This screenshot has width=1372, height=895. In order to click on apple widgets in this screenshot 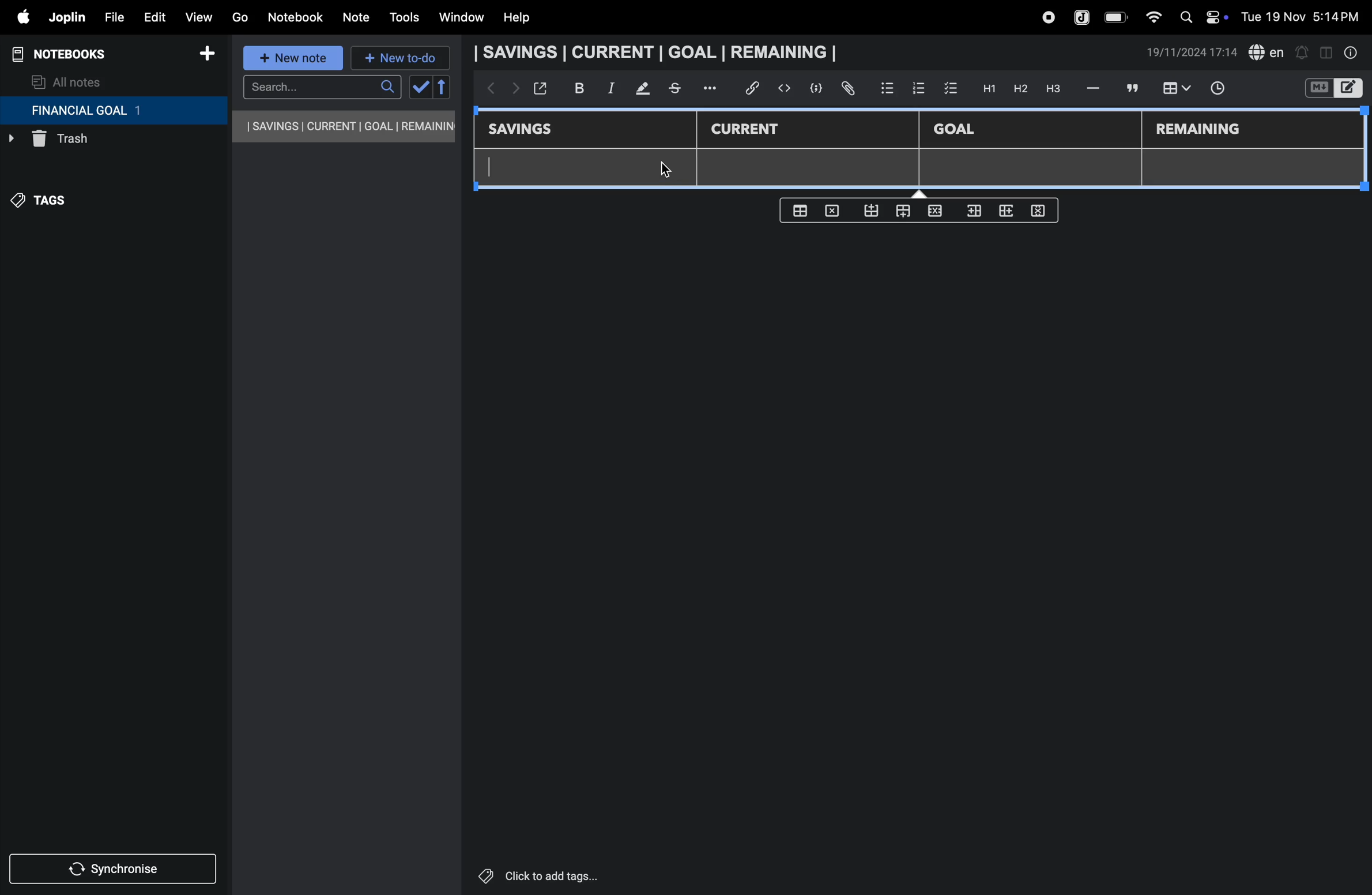, I will do `click(1201, 16)`.